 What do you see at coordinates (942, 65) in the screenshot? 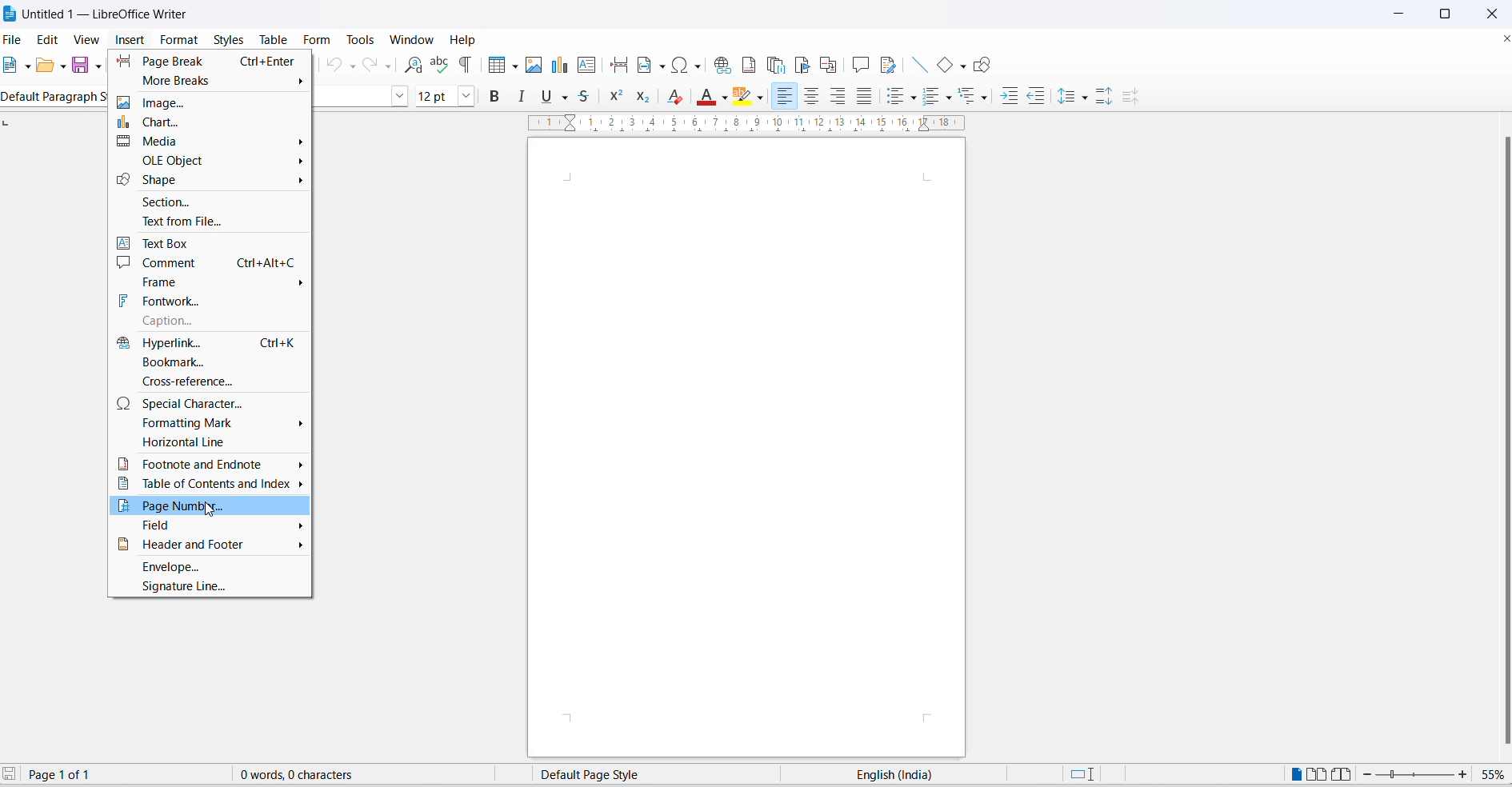
I see `basic shapes` at bounding box center [942, 65].